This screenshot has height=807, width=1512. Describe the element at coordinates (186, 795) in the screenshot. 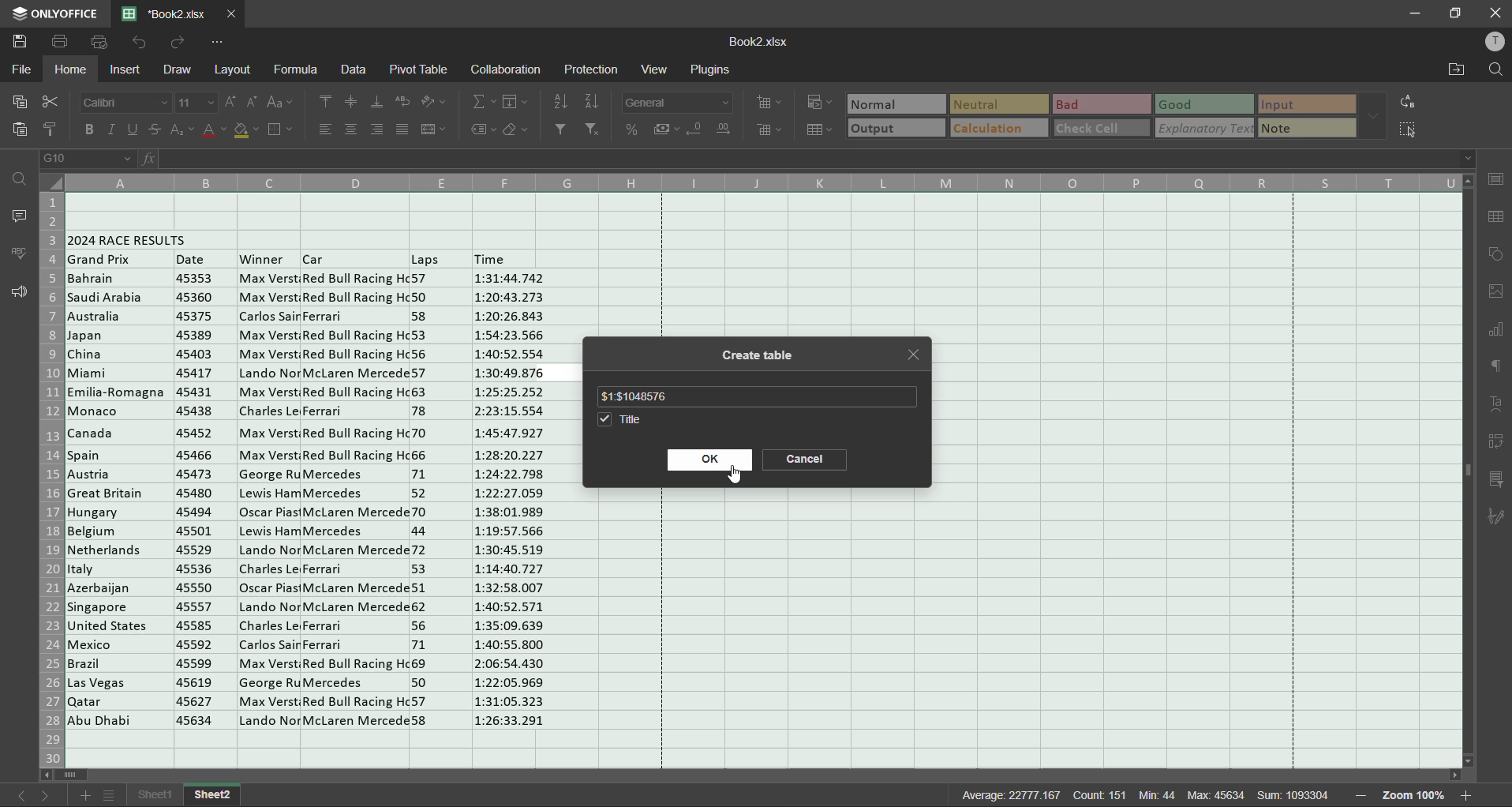

I see `sheet names` at that location.